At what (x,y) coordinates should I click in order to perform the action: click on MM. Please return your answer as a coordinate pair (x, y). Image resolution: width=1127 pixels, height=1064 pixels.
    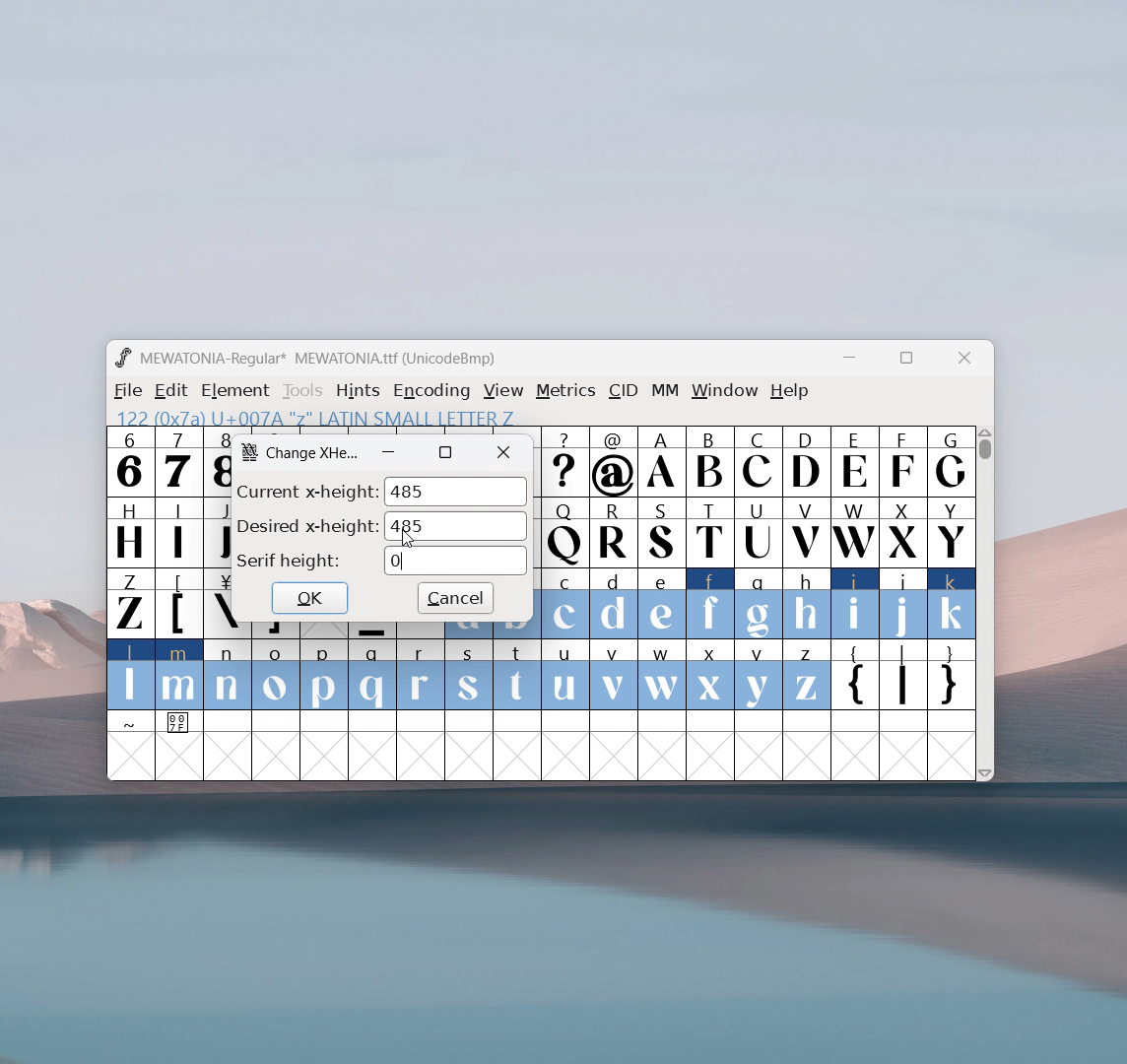
    Looking at the image, I should click on (666, 392).